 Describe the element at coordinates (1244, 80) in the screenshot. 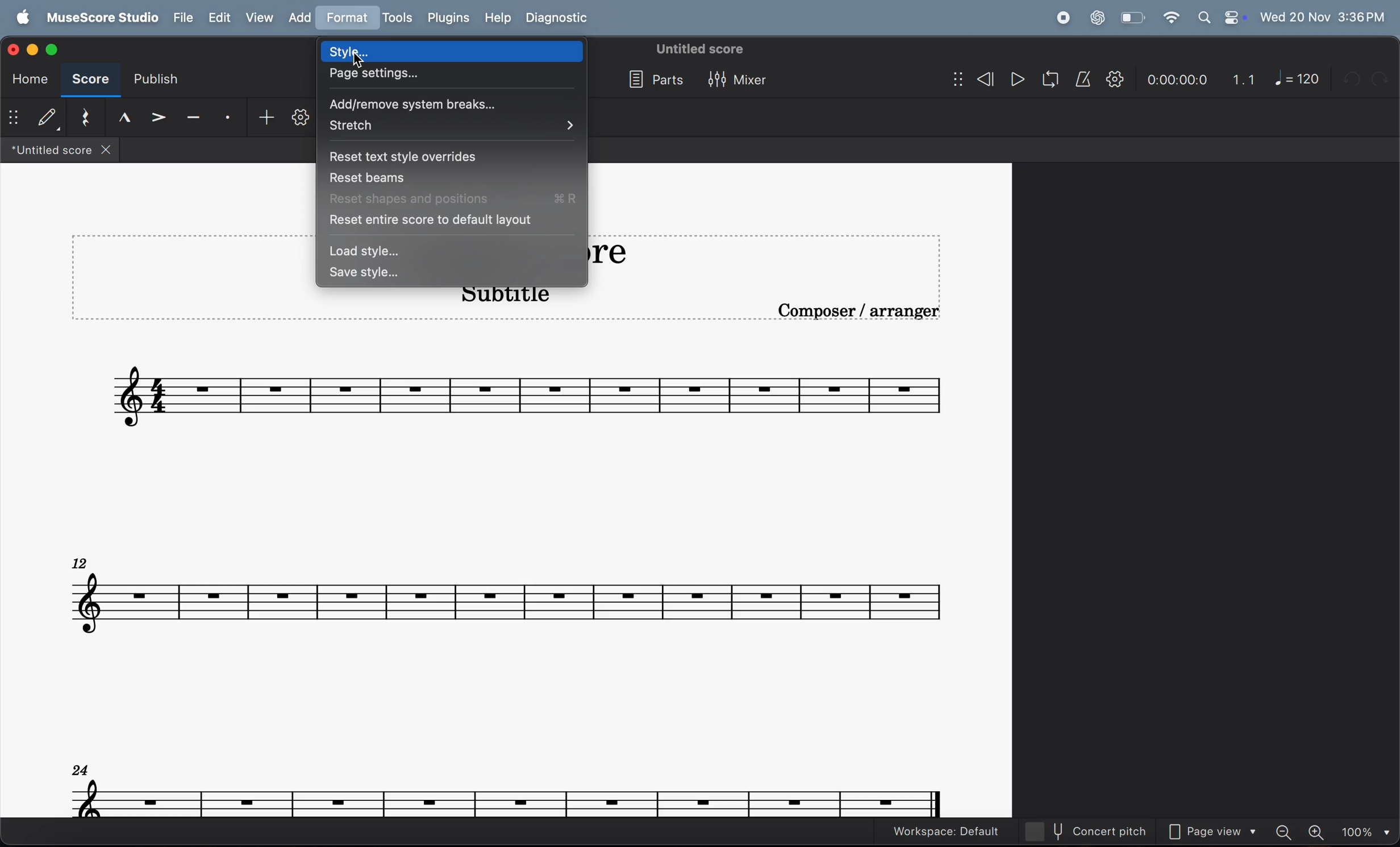

I see `1.1` at that location.